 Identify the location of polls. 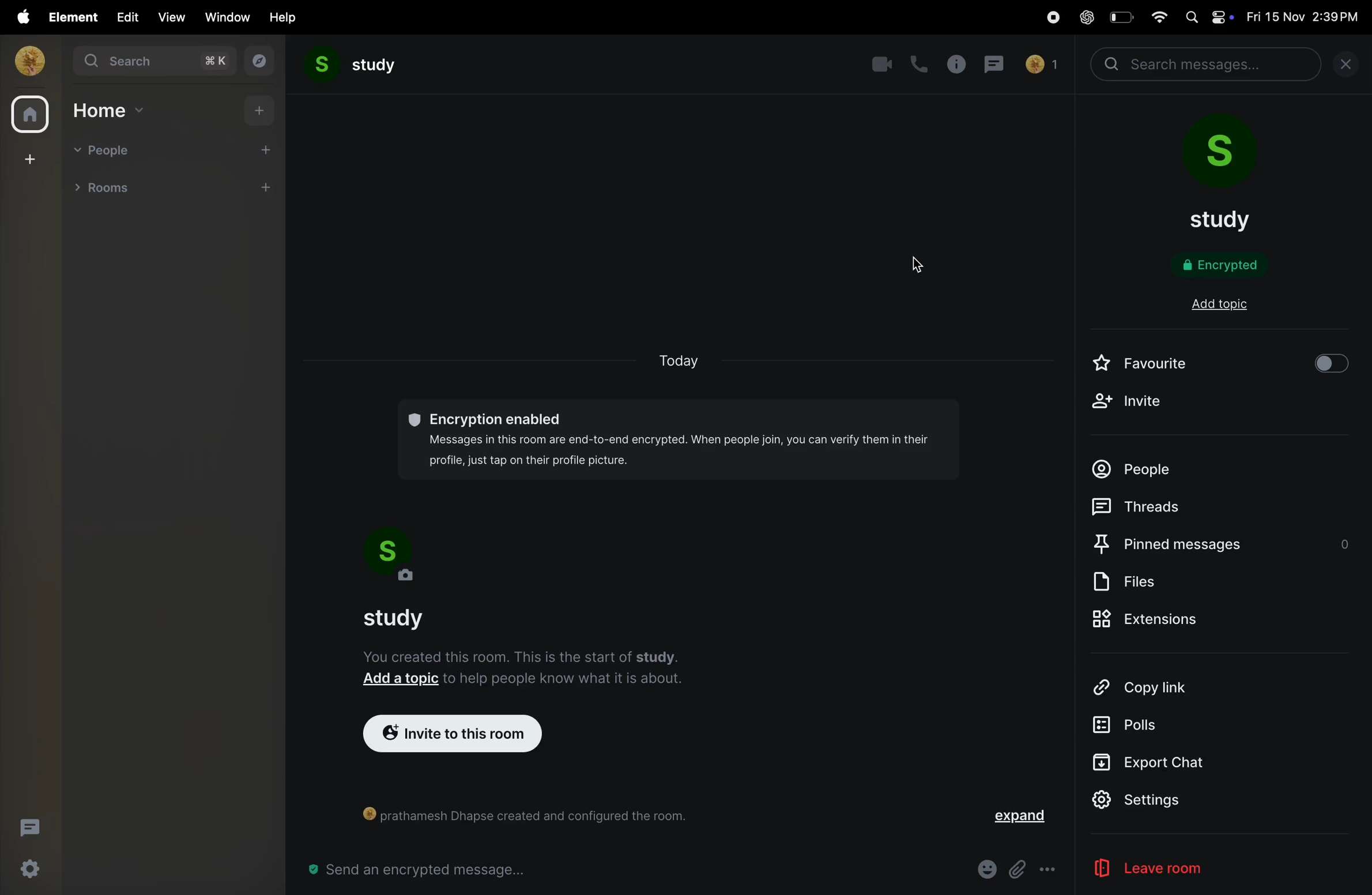
(1137, 724).